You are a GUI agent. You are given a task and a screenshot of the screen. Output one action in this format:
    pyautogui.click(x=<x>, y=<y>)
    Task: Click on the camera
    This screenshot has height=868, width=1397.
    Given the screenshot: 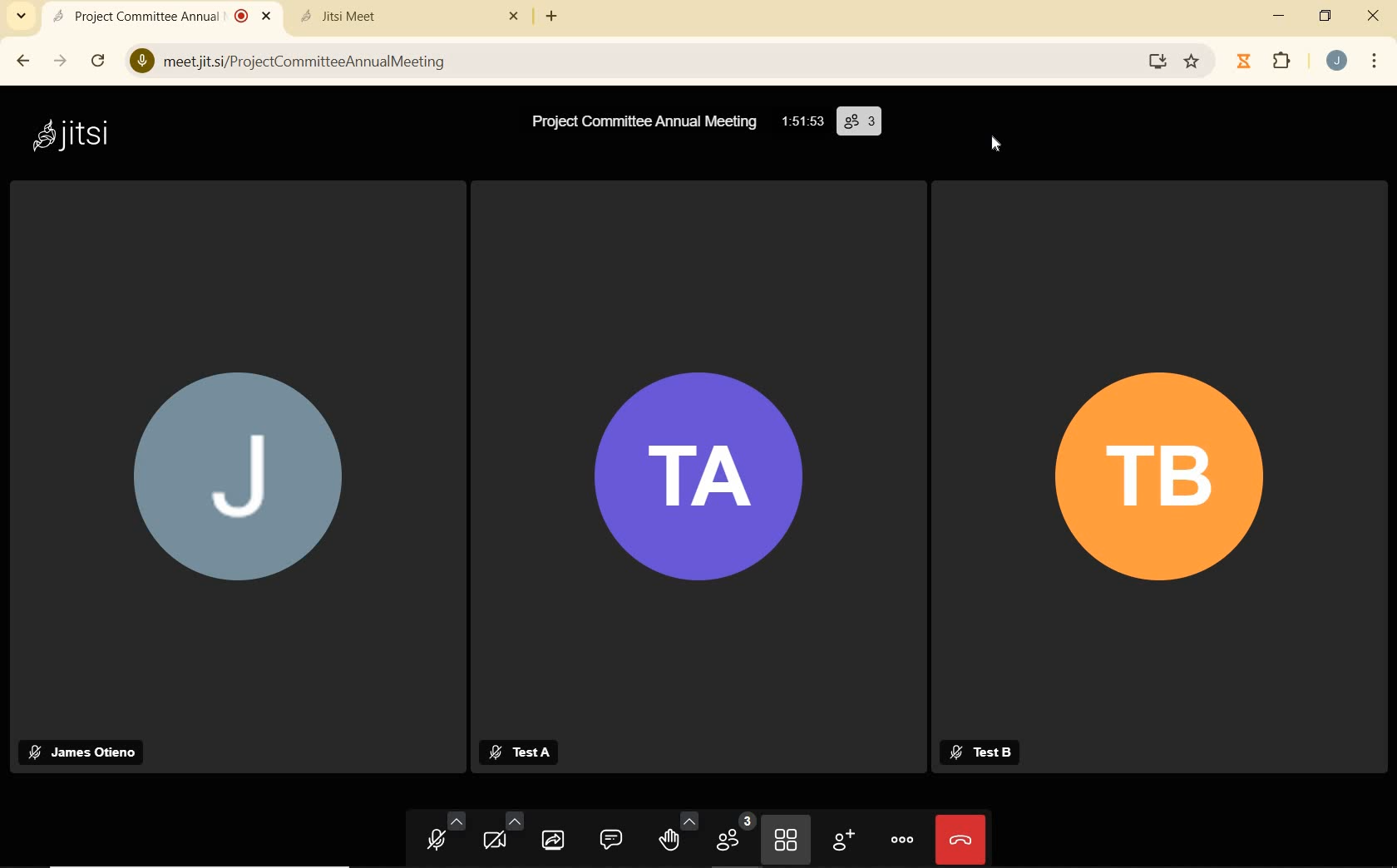 What is the action you would take?
    pyautogui.click(x=501, y=834)
    